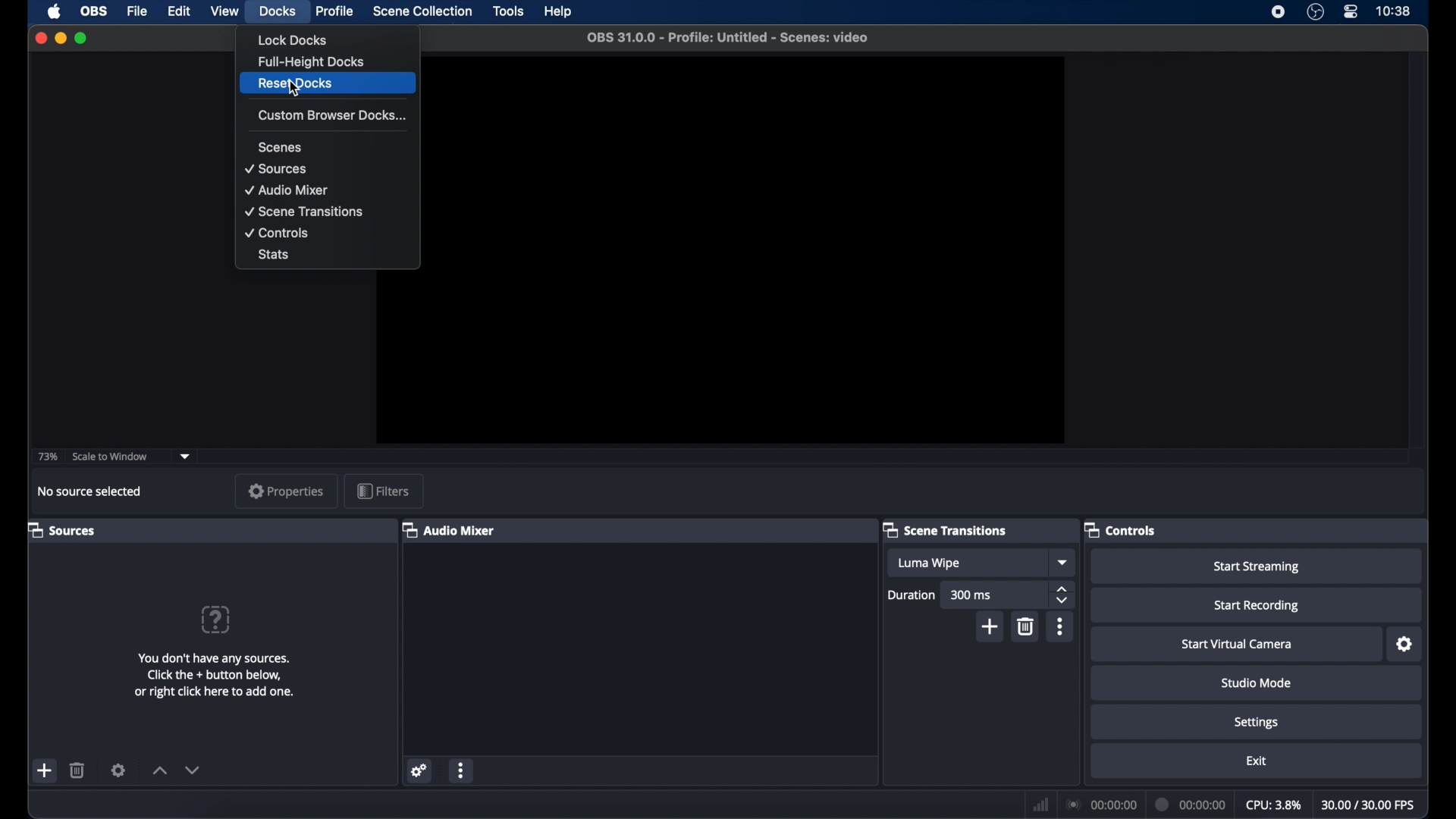  Describe the element at coordinates (383, 491) in the screenshot. I see `filters` at that location.